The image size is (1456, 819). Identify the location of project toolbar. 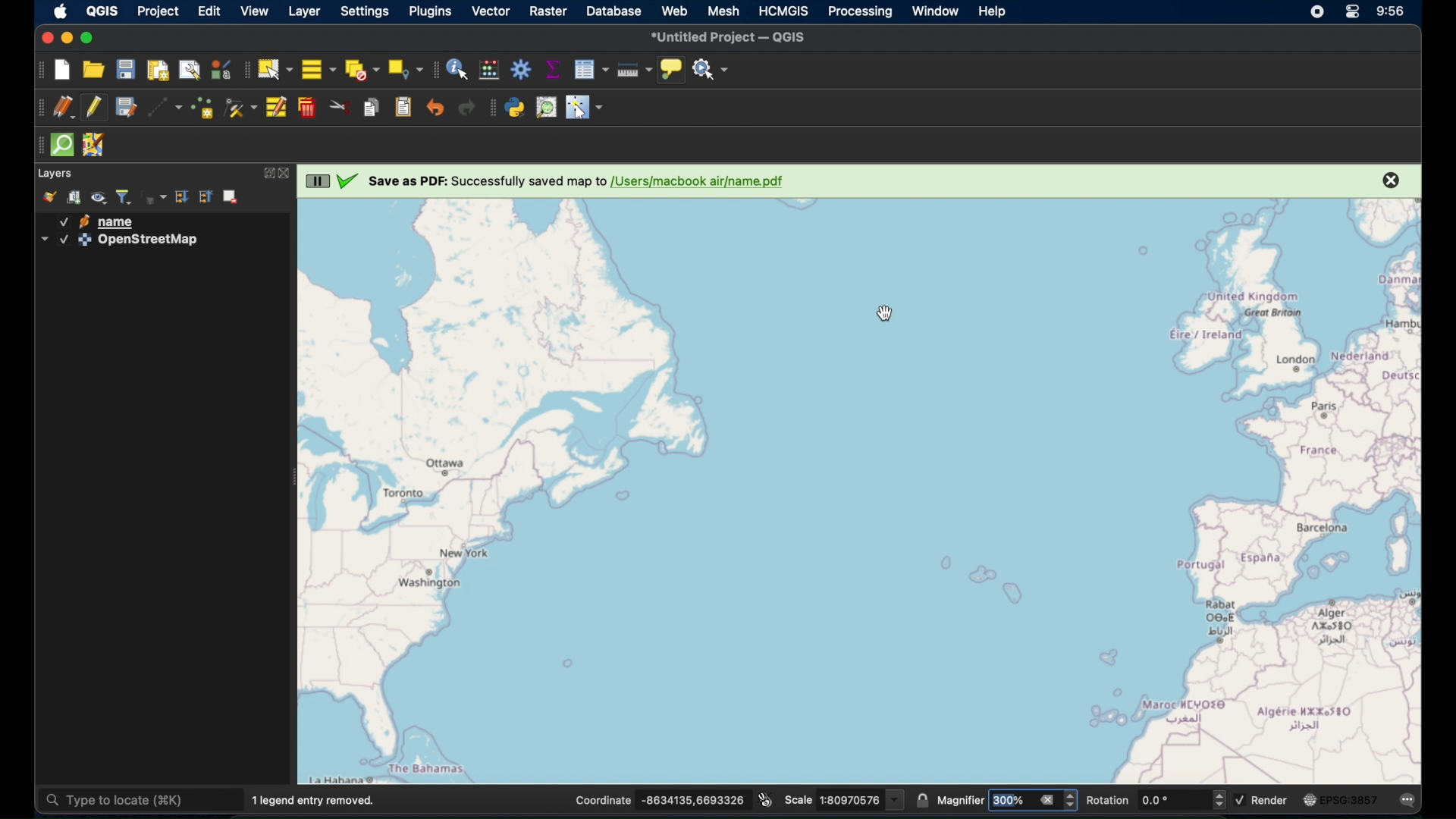
(38, 70).